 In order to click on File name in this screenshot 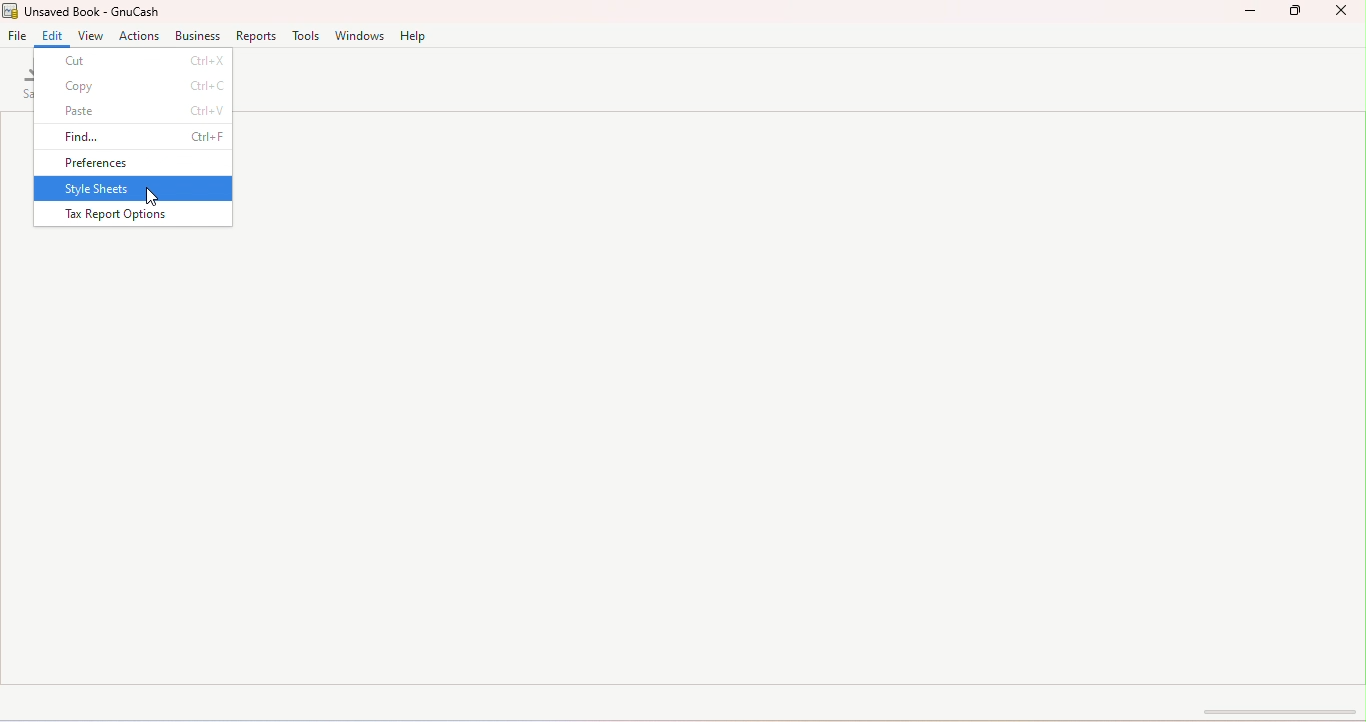, I will do `click(89, 13)`.